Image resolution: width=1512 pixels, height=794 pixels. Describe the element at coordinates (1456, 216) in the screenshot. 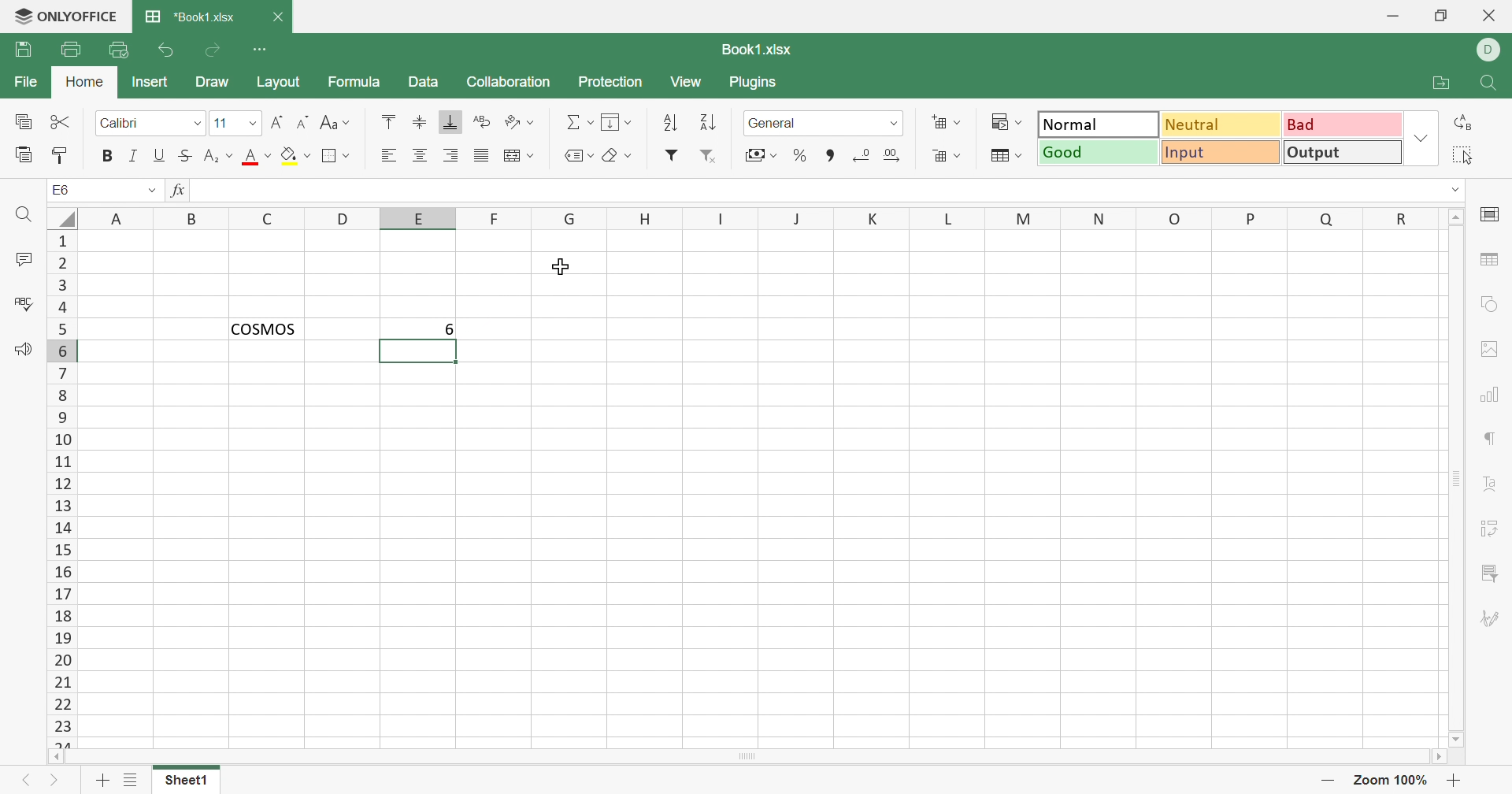

I see `Scroll up` at that location.